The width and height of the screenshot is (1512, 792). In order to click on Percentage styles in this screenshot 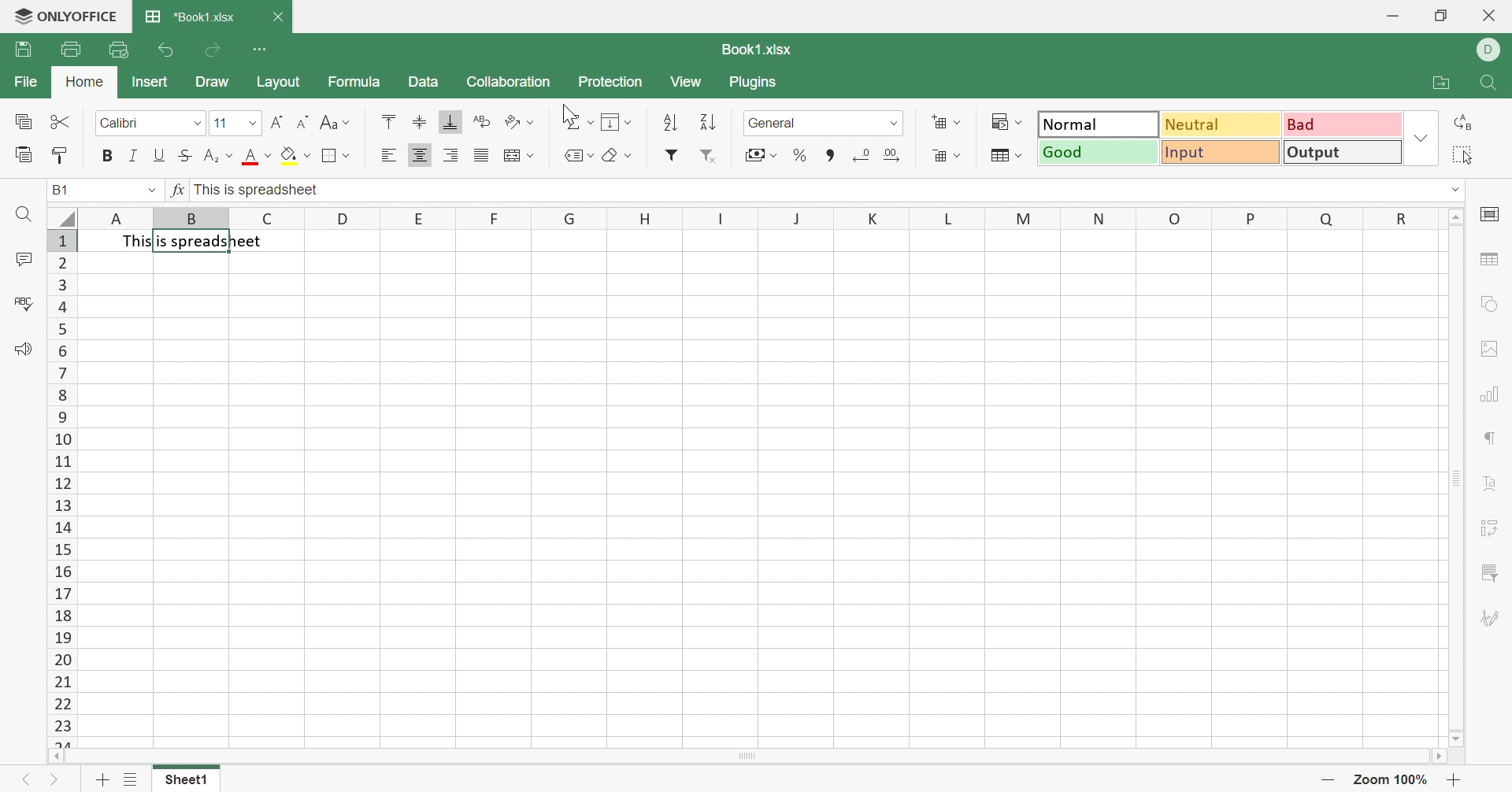, I will do `click(799, 154)`.